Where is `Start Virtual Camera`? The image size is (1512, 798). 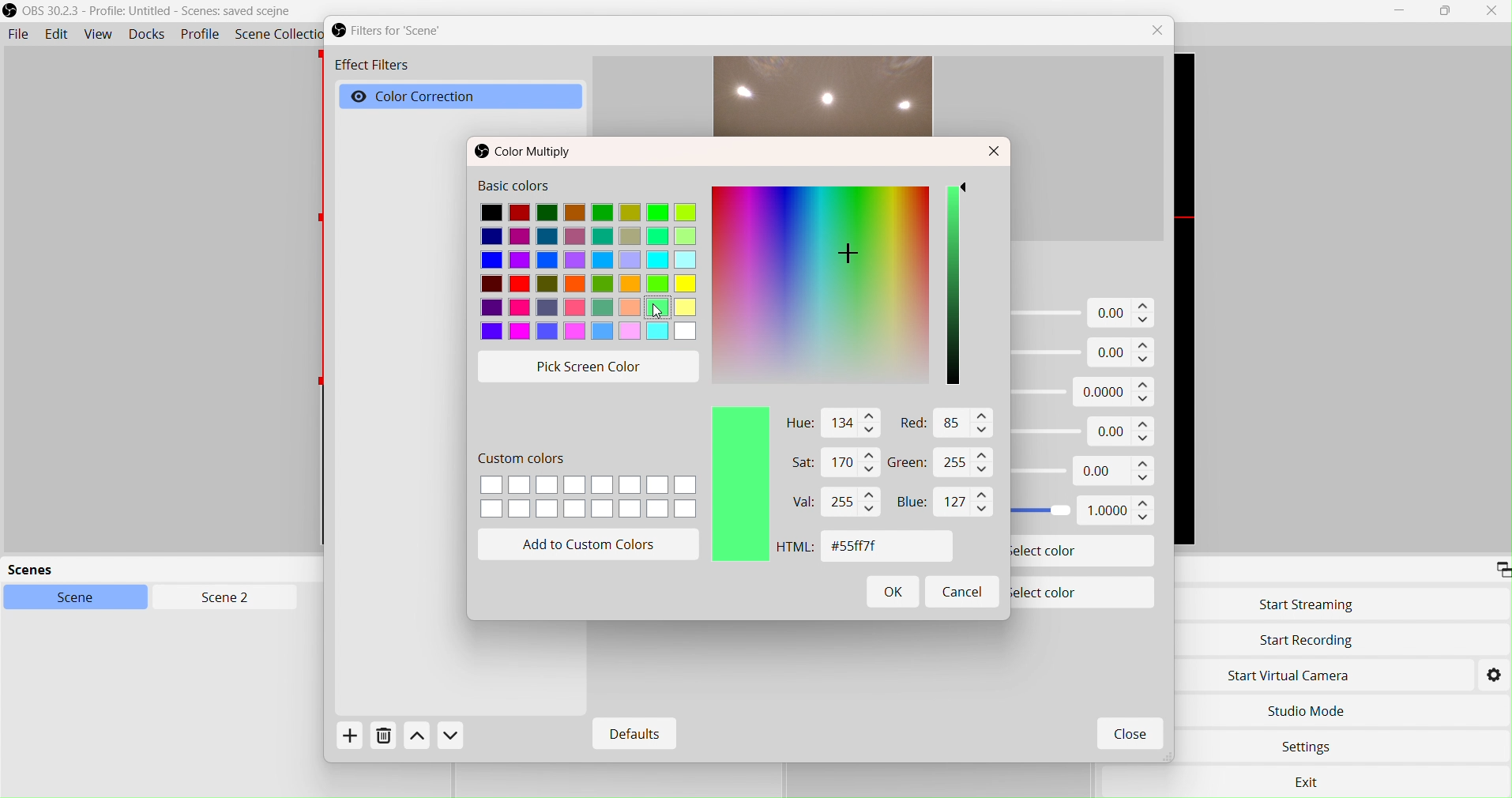
Start Virtual Camera is located at coordinates (1299, 675).